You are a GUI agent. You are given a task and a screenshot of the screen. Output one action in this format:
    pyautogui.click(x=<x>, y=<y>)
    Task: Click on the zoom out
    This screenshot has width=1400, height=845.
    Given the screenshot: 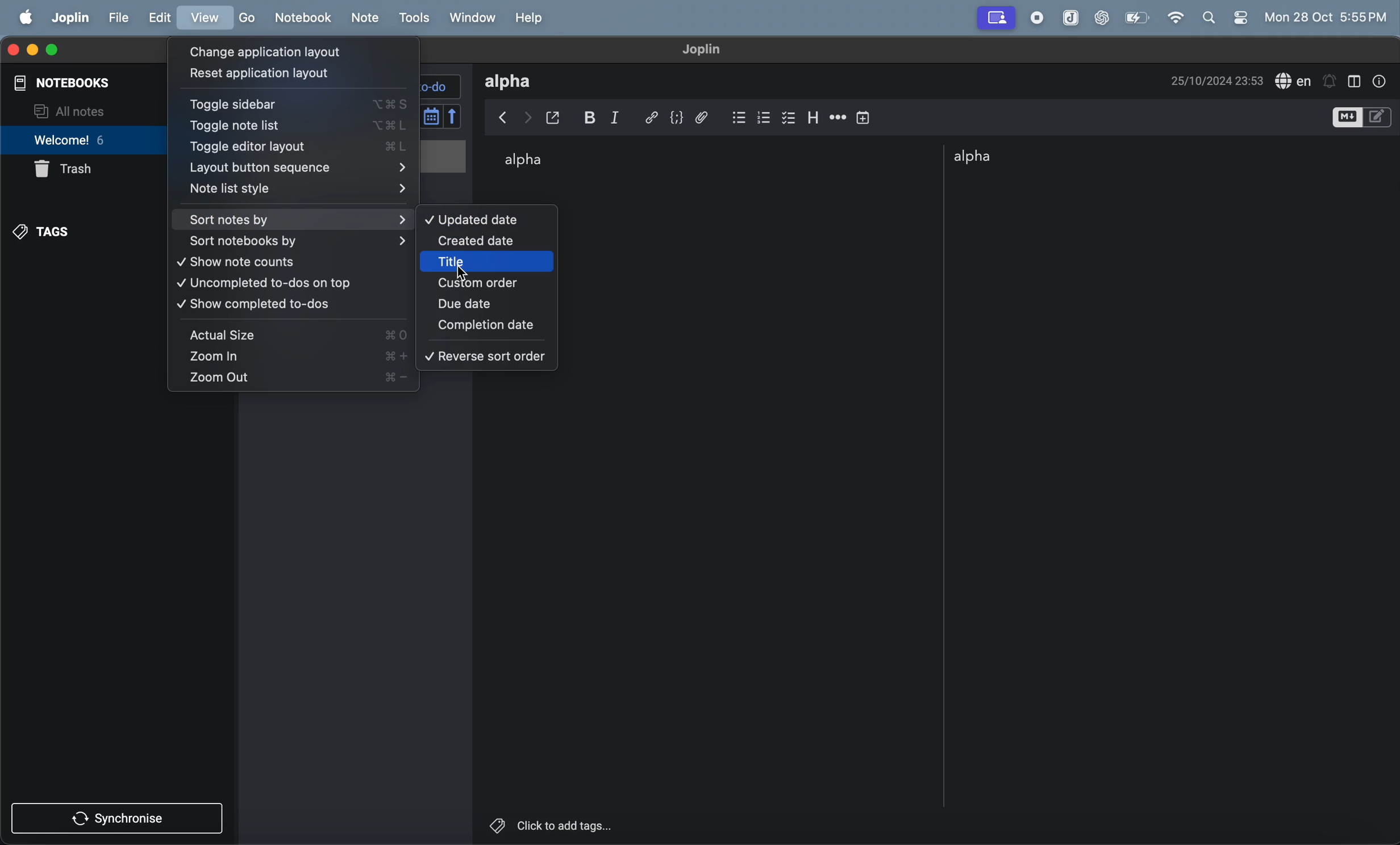 What is the action you would take?
    pyautogui.click(x=297, y=378)
    